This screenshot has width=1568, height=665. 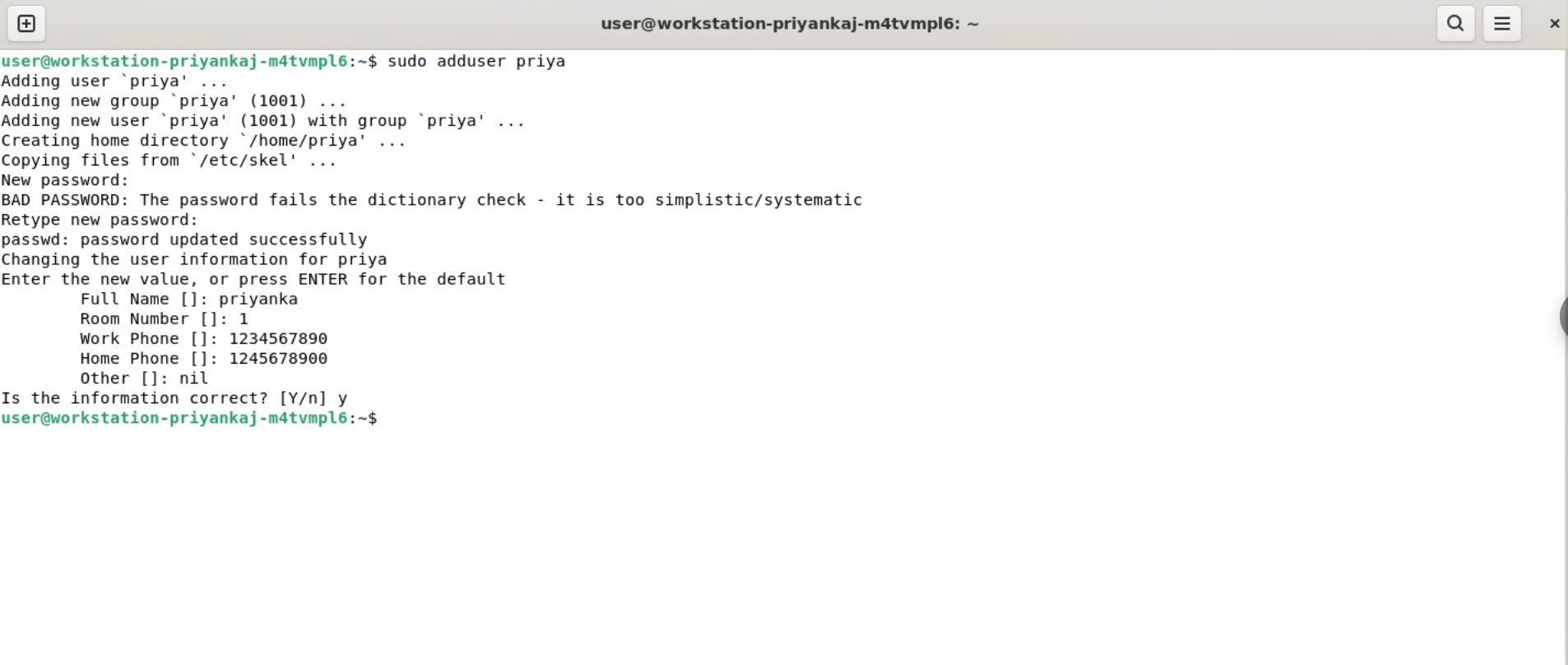 What do you see at coordinates (79, 179) in the screenshot?
I see `new password` at bounding box center [79, 179].